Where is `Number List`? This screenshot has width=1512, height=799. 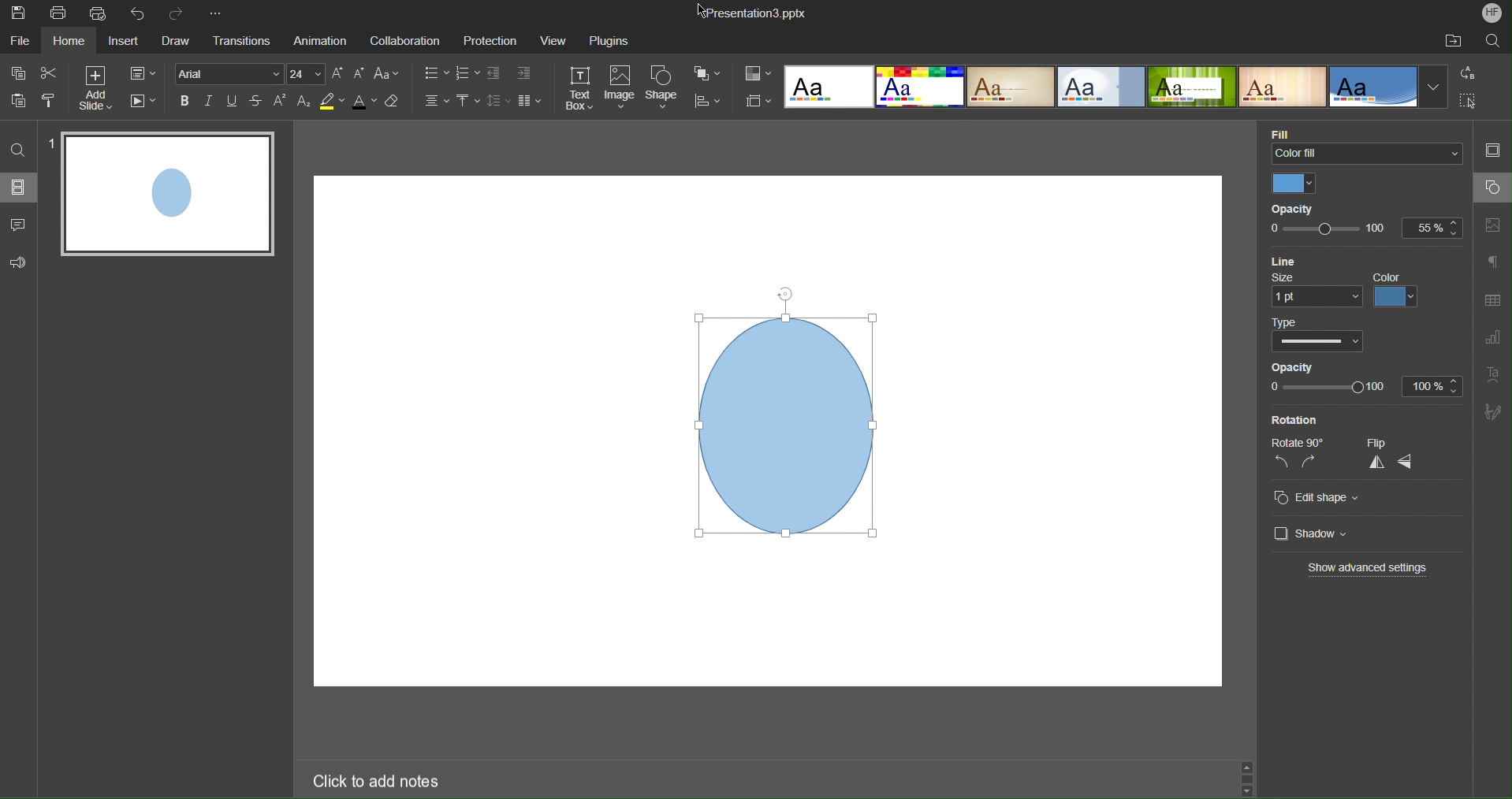
Number List is located at coordinates (468, 75).